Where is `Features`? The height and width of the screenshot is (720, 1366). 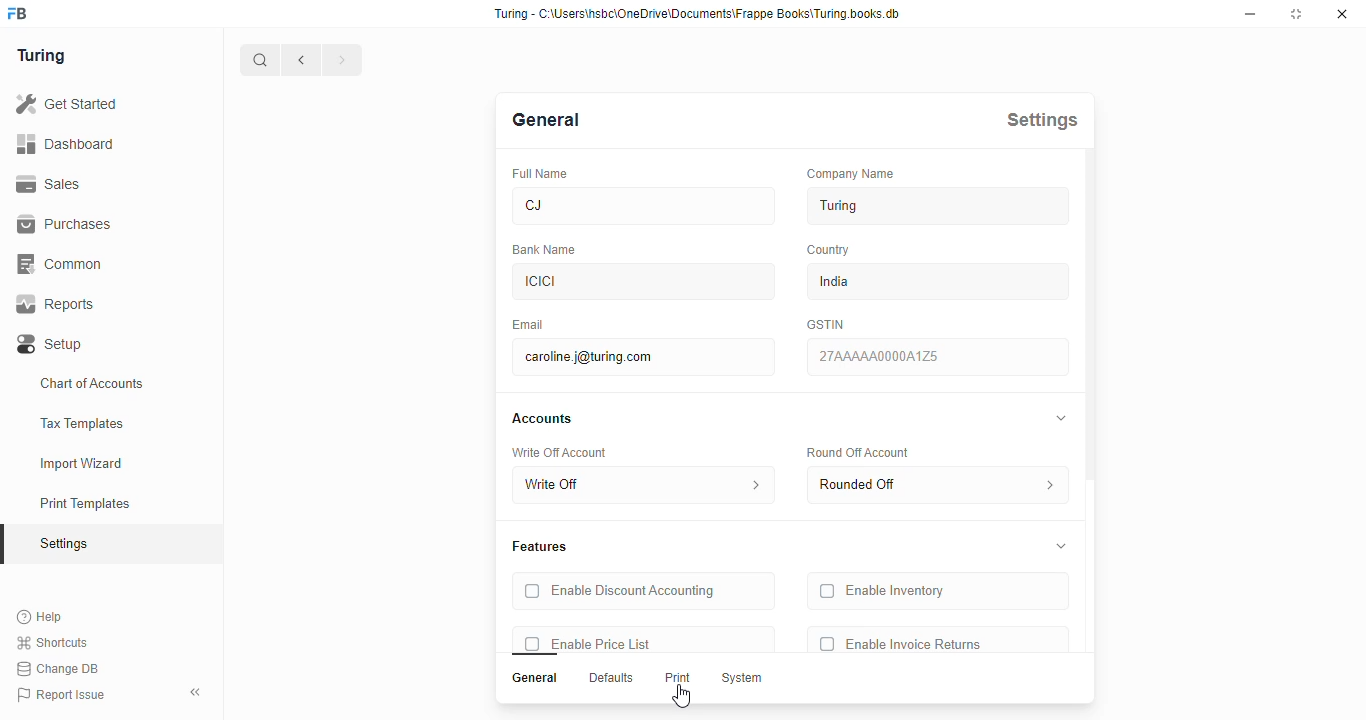 Features is located at coordinates (541, 547).